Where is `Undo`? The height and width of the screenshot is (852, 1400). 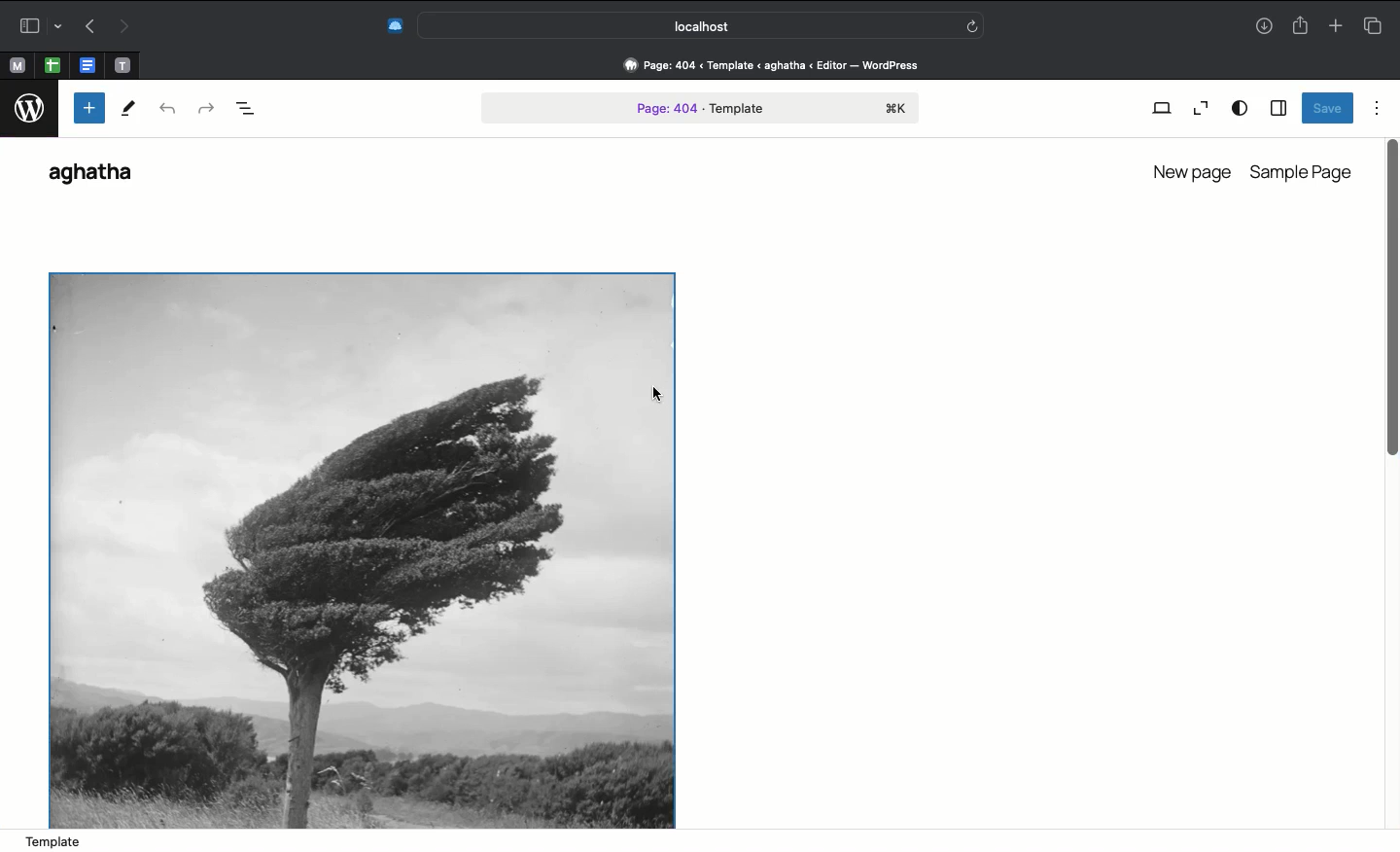
Undo is located at coordinates (169, 112).